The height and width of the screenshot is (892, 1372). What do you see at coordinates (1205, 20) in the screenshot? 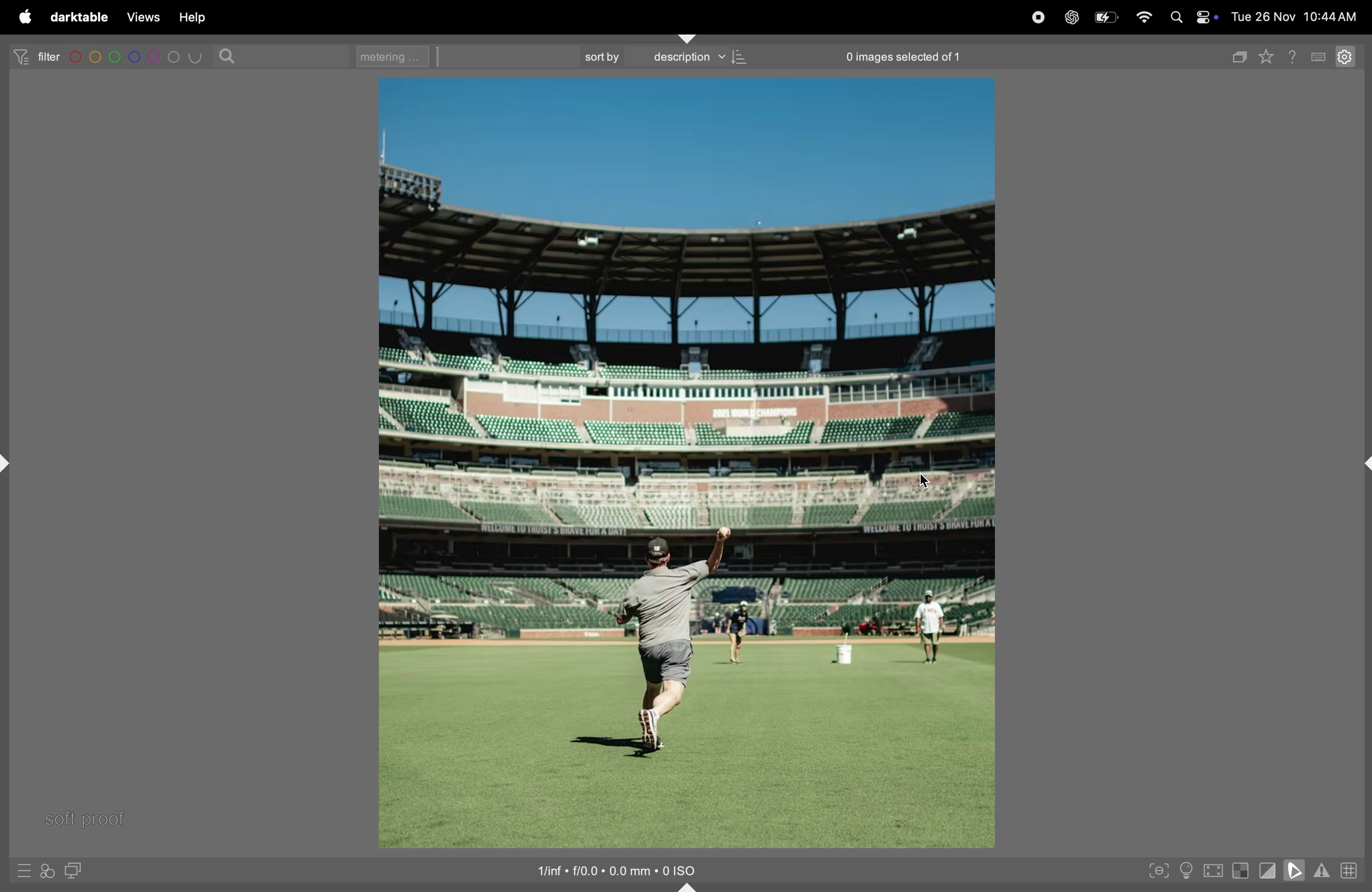
I see `apple widgets` at bounding box center [1205, 20].